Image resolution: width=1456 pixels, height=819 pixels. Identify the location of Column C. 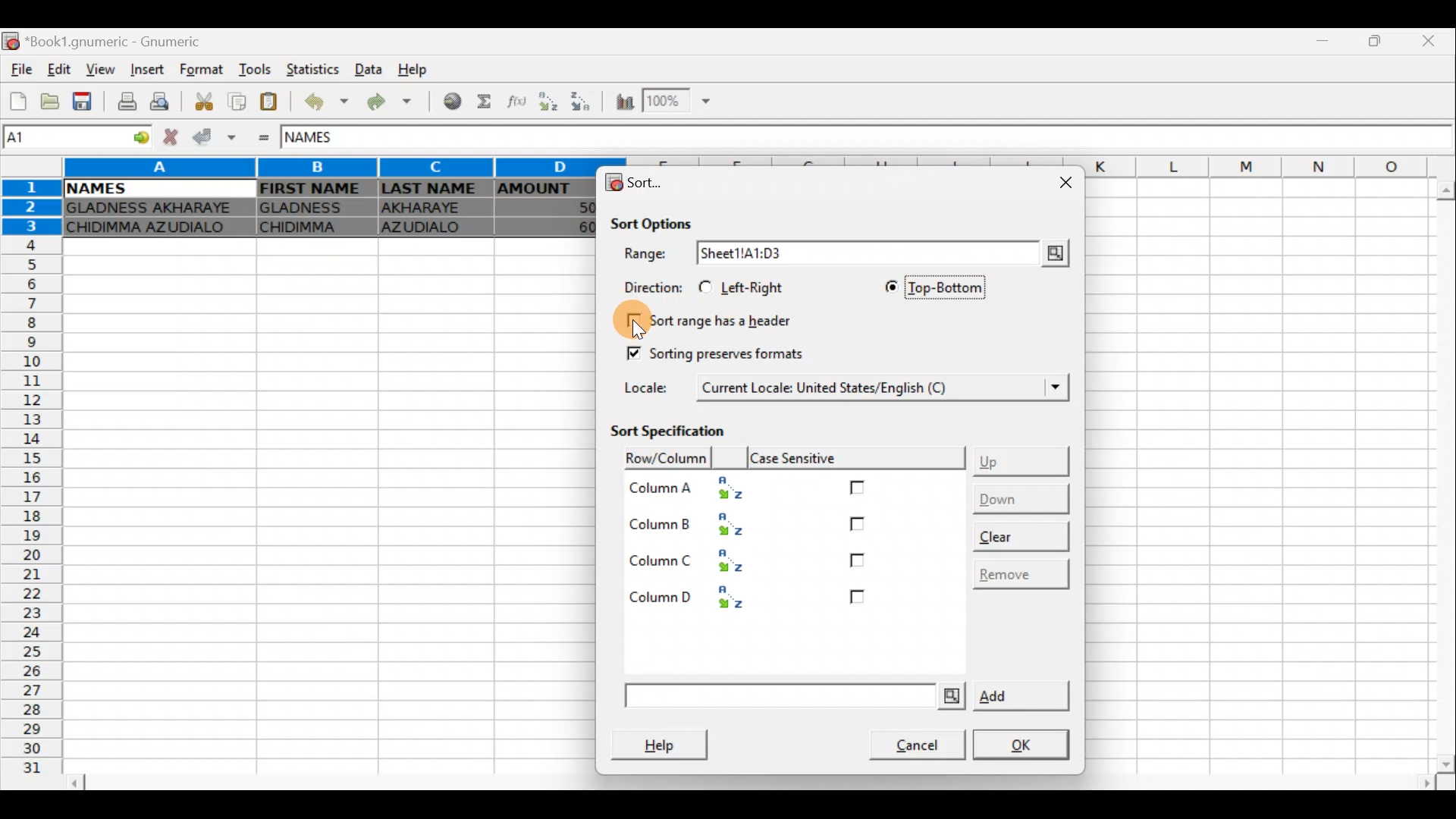
(696, 559).